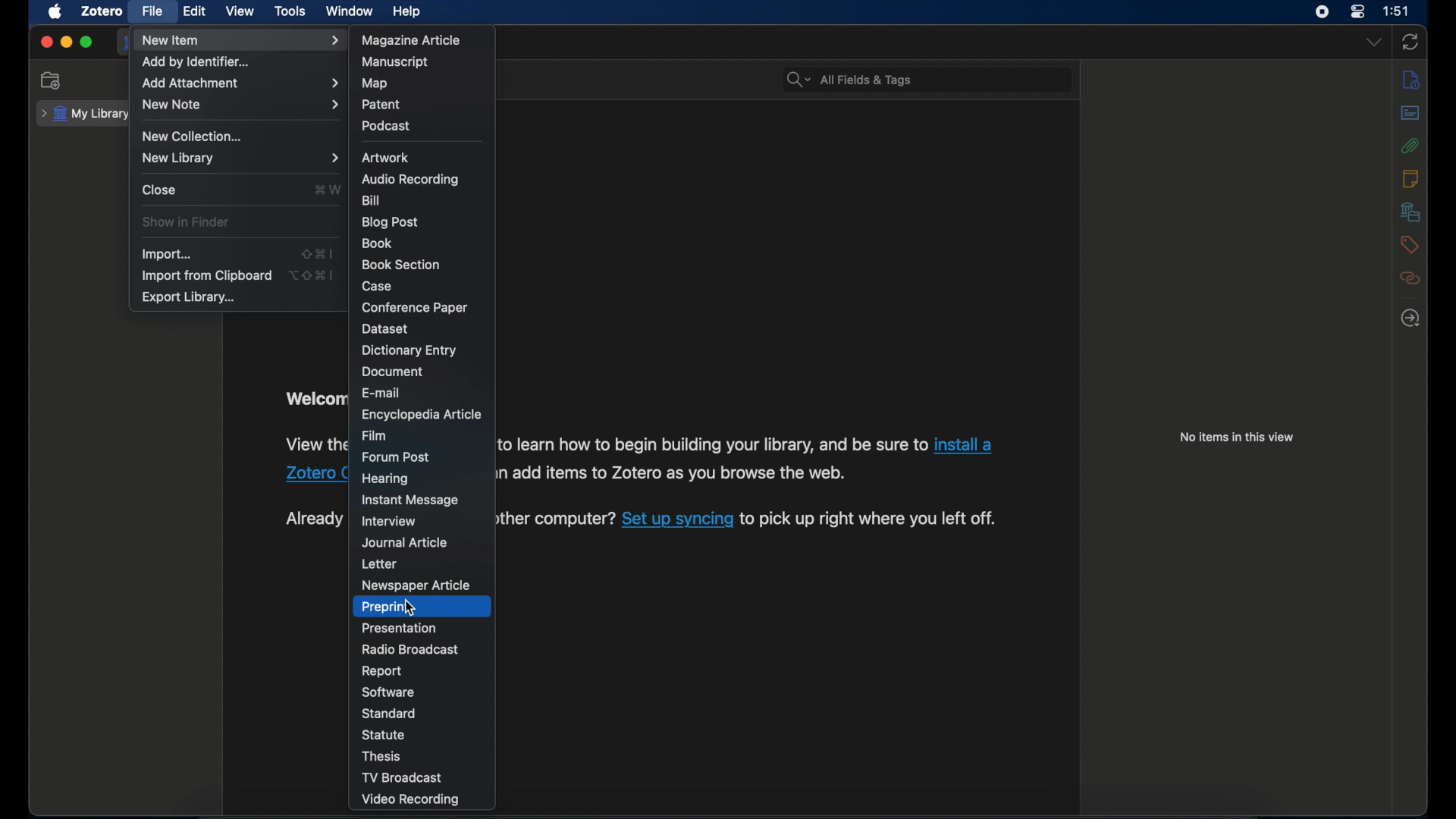  Describe the element at coordinates (385, 734) in the screenshot. I see `statue` at that location.